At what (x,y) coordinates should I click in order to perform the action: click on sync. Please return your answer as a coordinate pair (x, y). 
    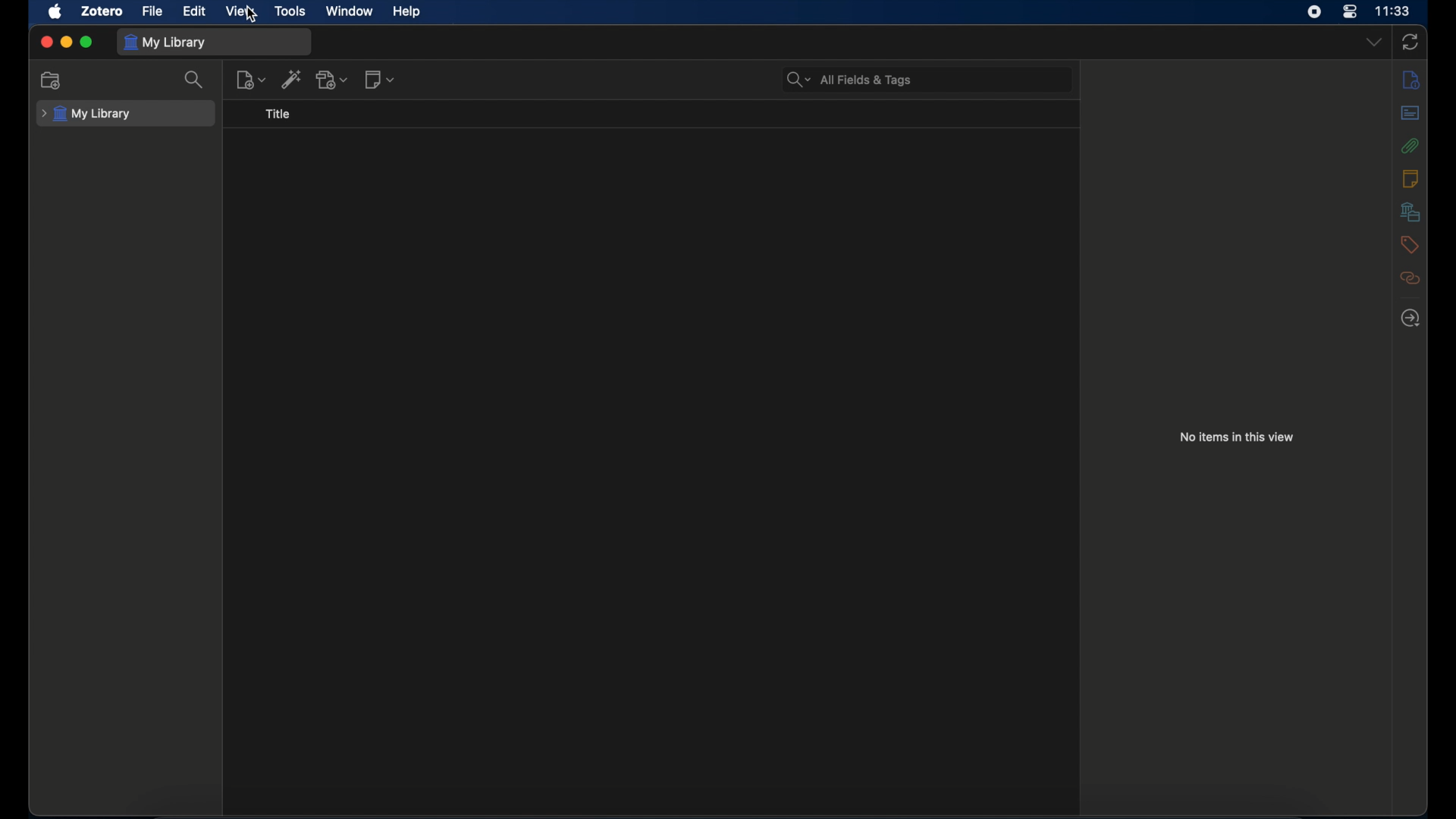
    Looking at the image, I should click on (1410, 42).